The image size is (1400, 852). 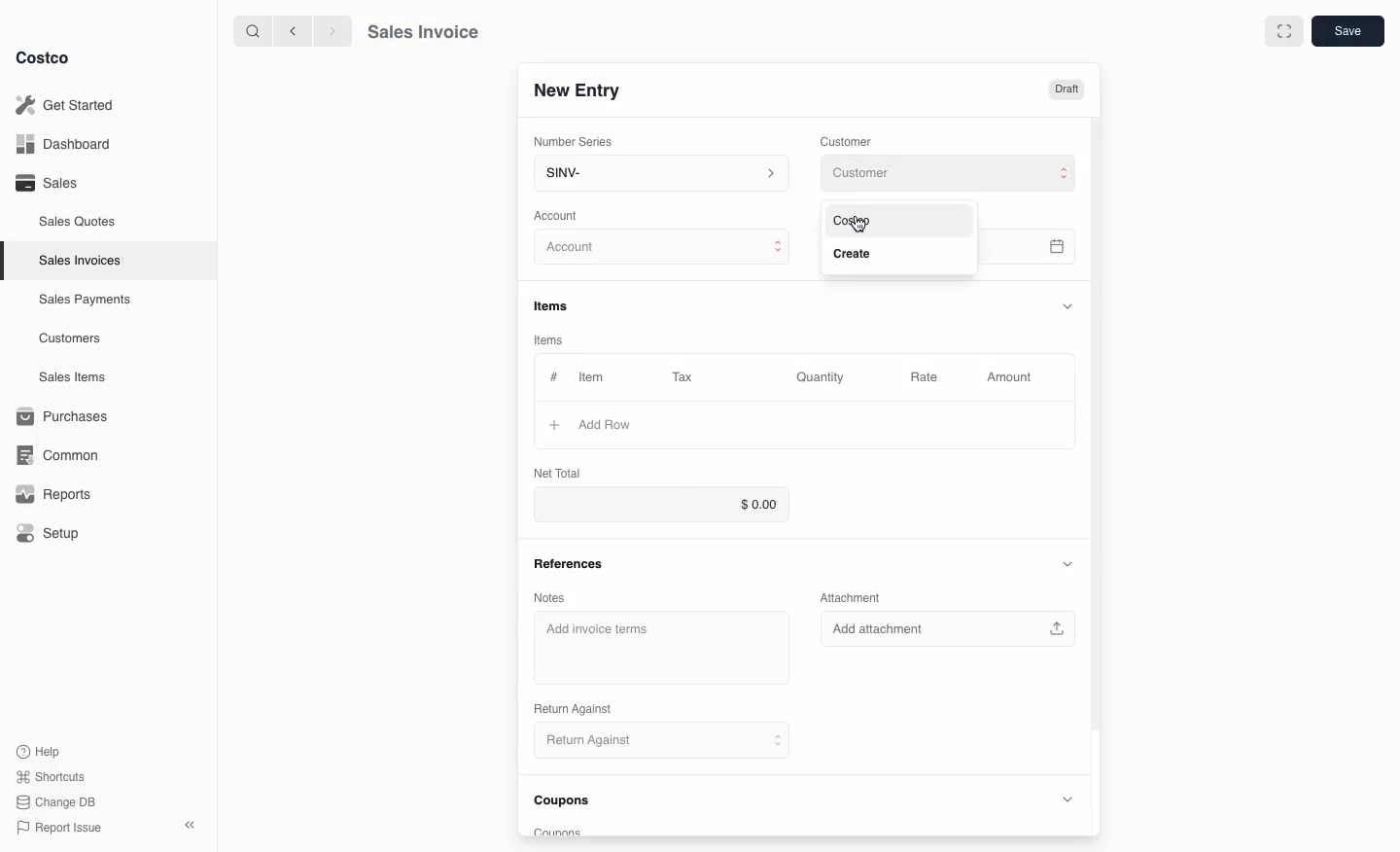 What do you see at coordinates (568, 803) in the screenshot?
I see `Coupons` at bounding box center [568, 803].